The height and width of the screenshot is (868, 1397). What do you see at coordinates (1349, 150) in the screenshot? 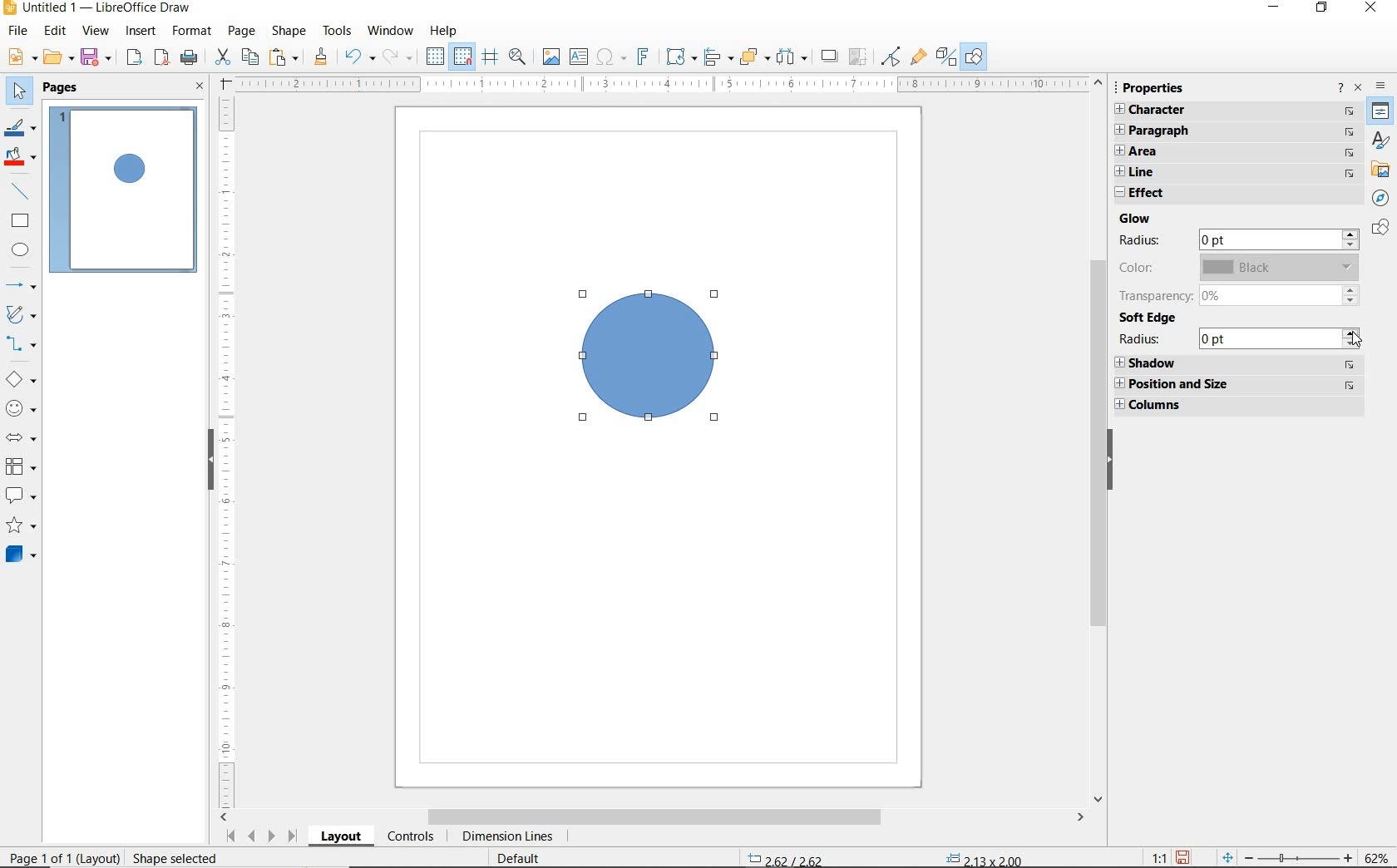
I see `navigate` at bounding box center [1349, 150].